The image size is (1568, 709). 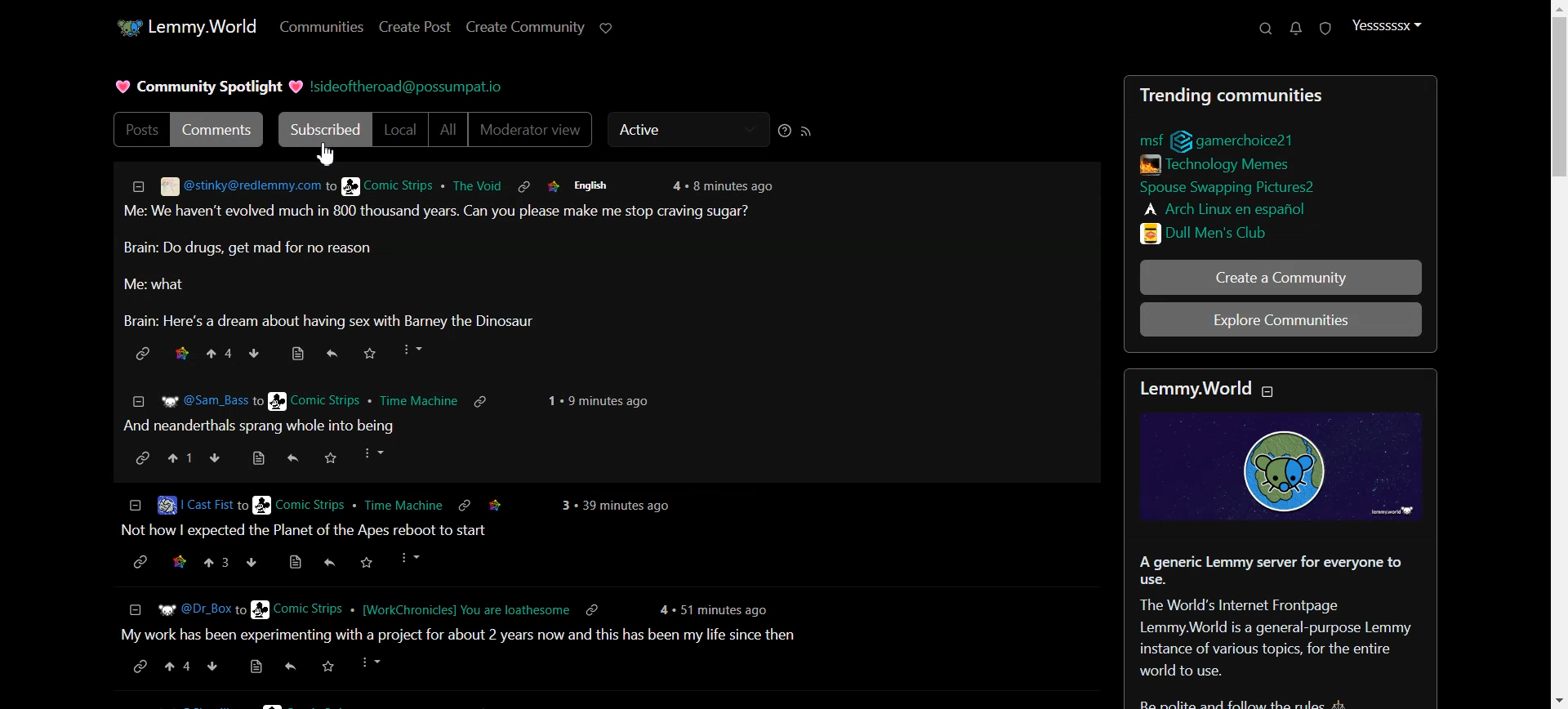 What do you see at coordinates (332, 353) in the screenshot?
I see `share` at bounding box center [332, 353].